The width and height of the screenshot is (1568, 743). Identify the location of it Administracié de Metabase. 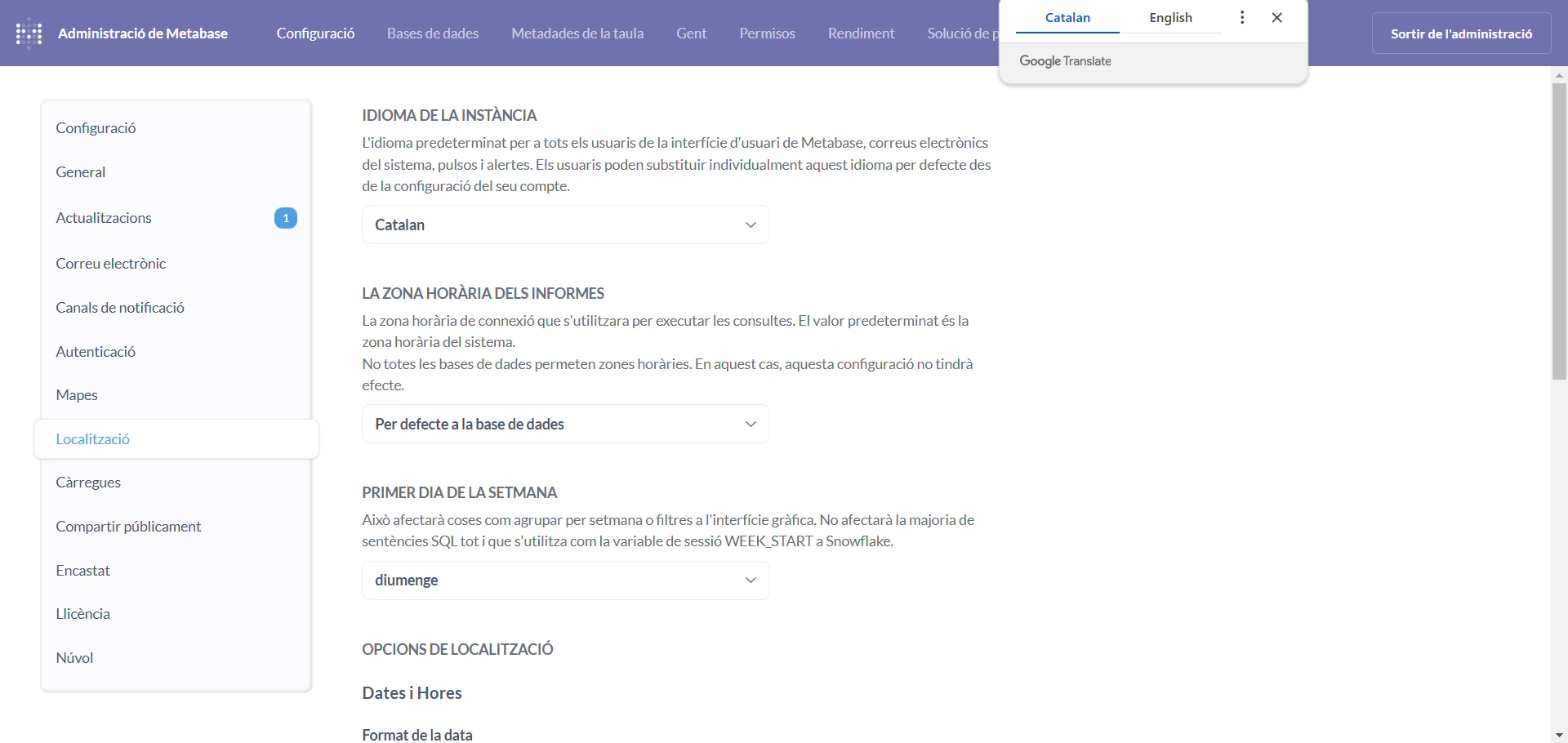
(125, 31).